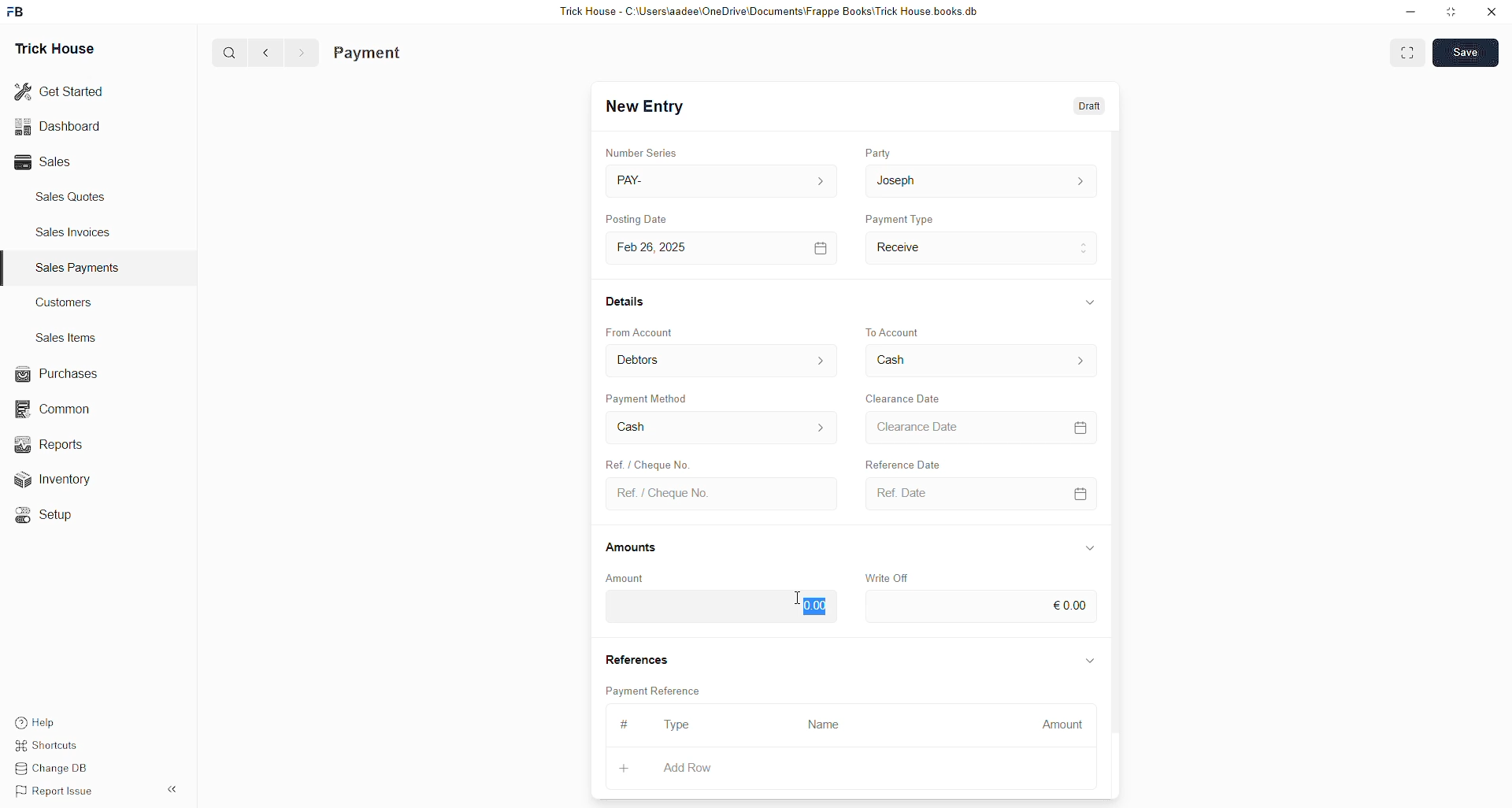 This screenshot has height=808, width=1512. I want to click on Setup, so click(51, 517).